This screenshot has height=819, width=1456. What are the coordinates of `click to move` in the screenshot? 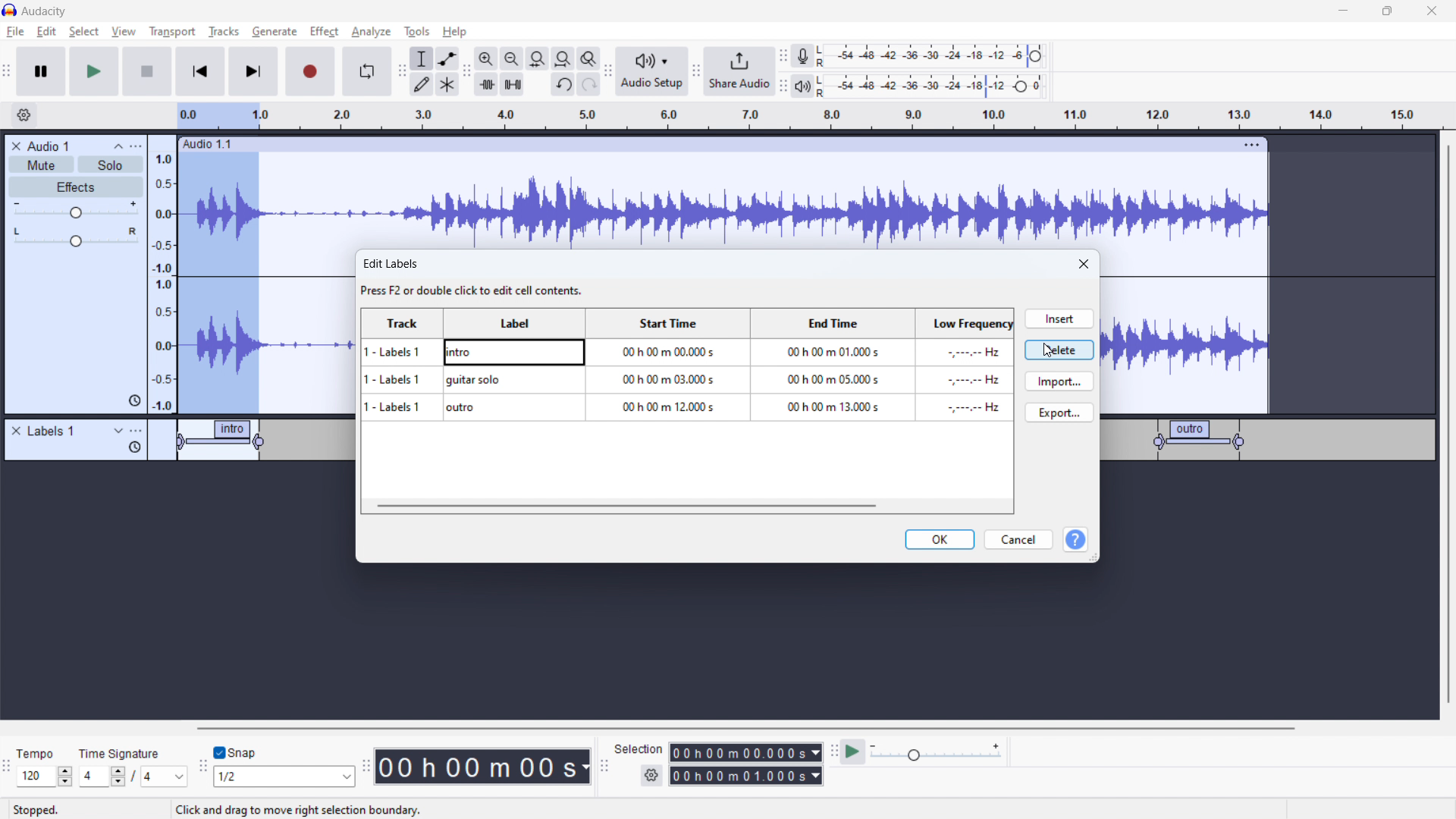 It's located at (708, 145).